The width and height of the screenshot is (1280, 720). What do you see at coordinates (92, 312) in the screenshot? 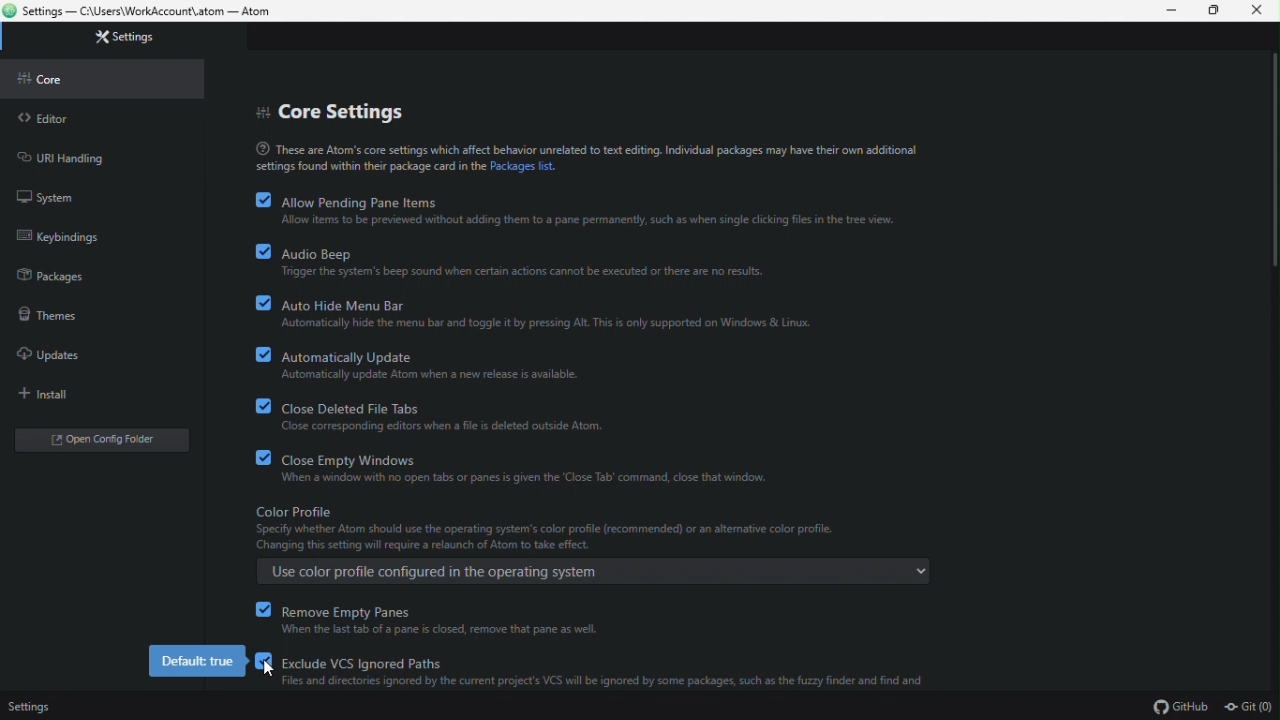
I see `Themes` at bounding box center [92, 312].